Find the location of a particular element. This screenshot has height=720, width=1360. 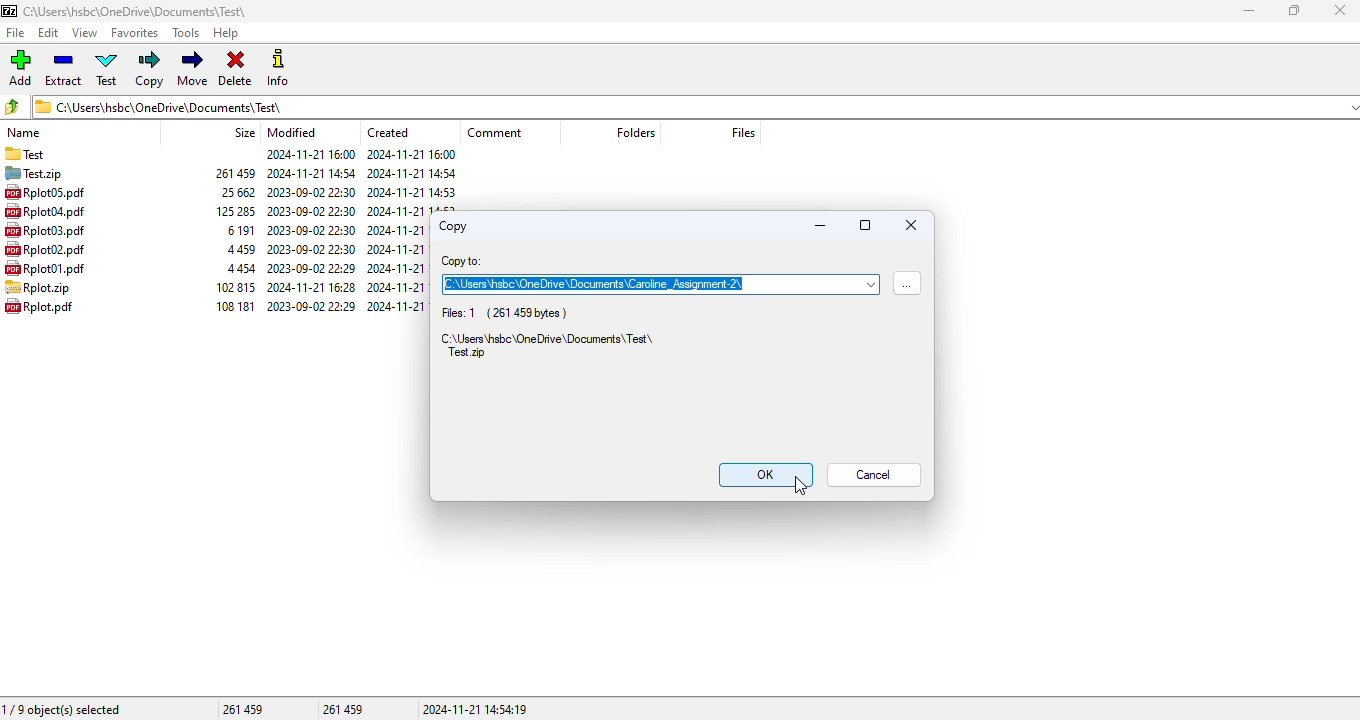

modified date & time is located at coordinates (311, 287).